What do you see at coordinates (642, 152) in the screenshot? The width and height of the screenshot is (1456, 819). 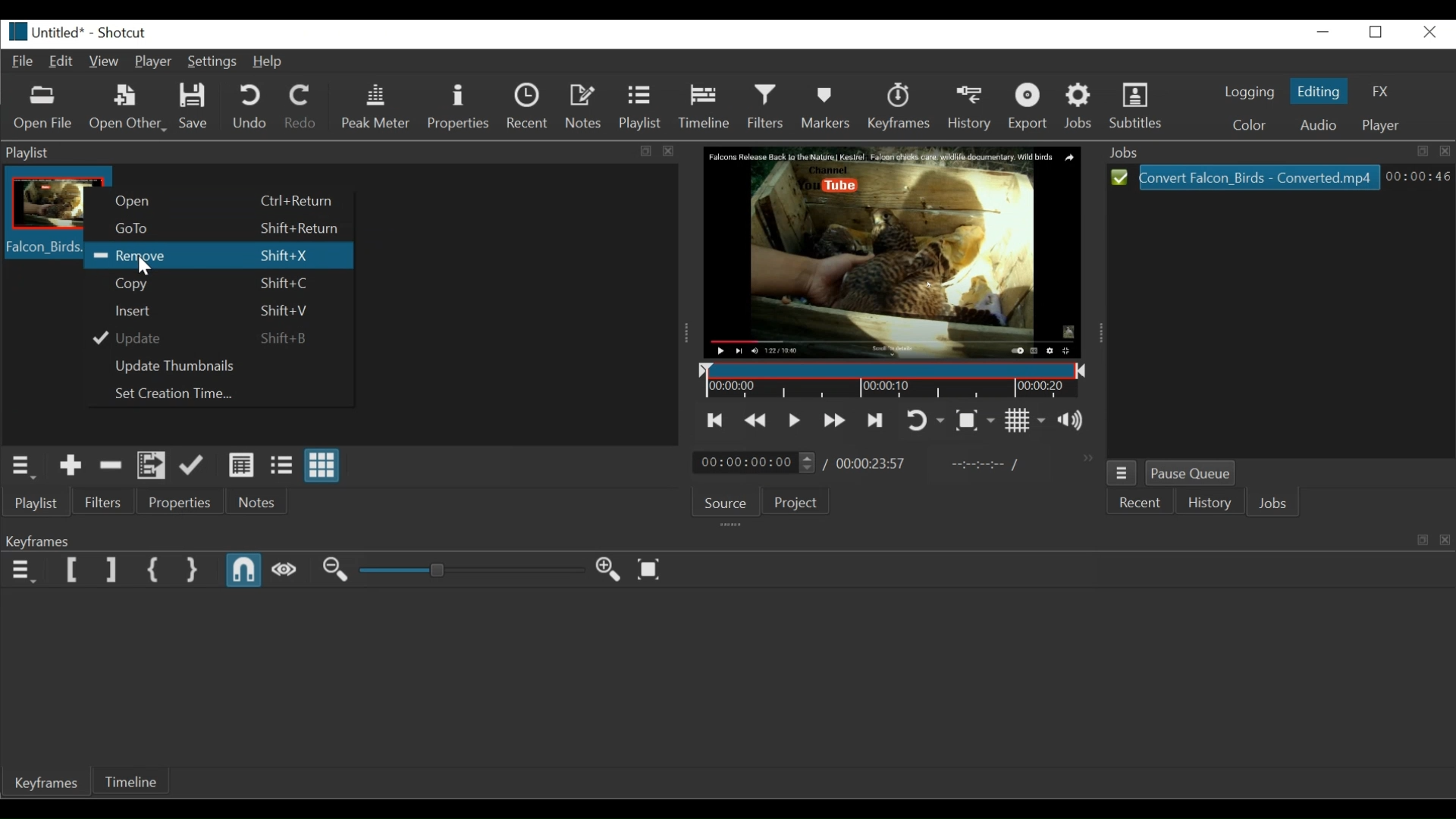 I see `Restore` at bounding box center [642, 152].